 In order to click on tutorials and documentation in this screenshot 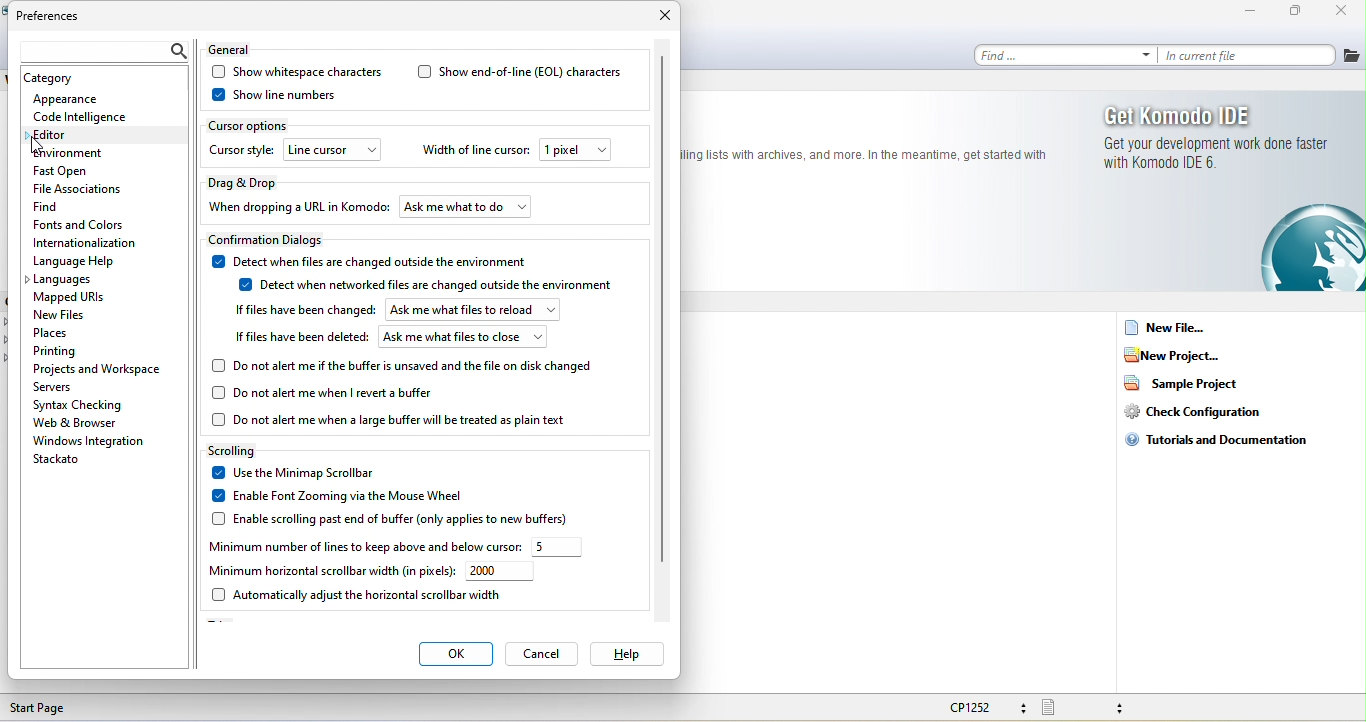, I will do `click(1223, 438)`.